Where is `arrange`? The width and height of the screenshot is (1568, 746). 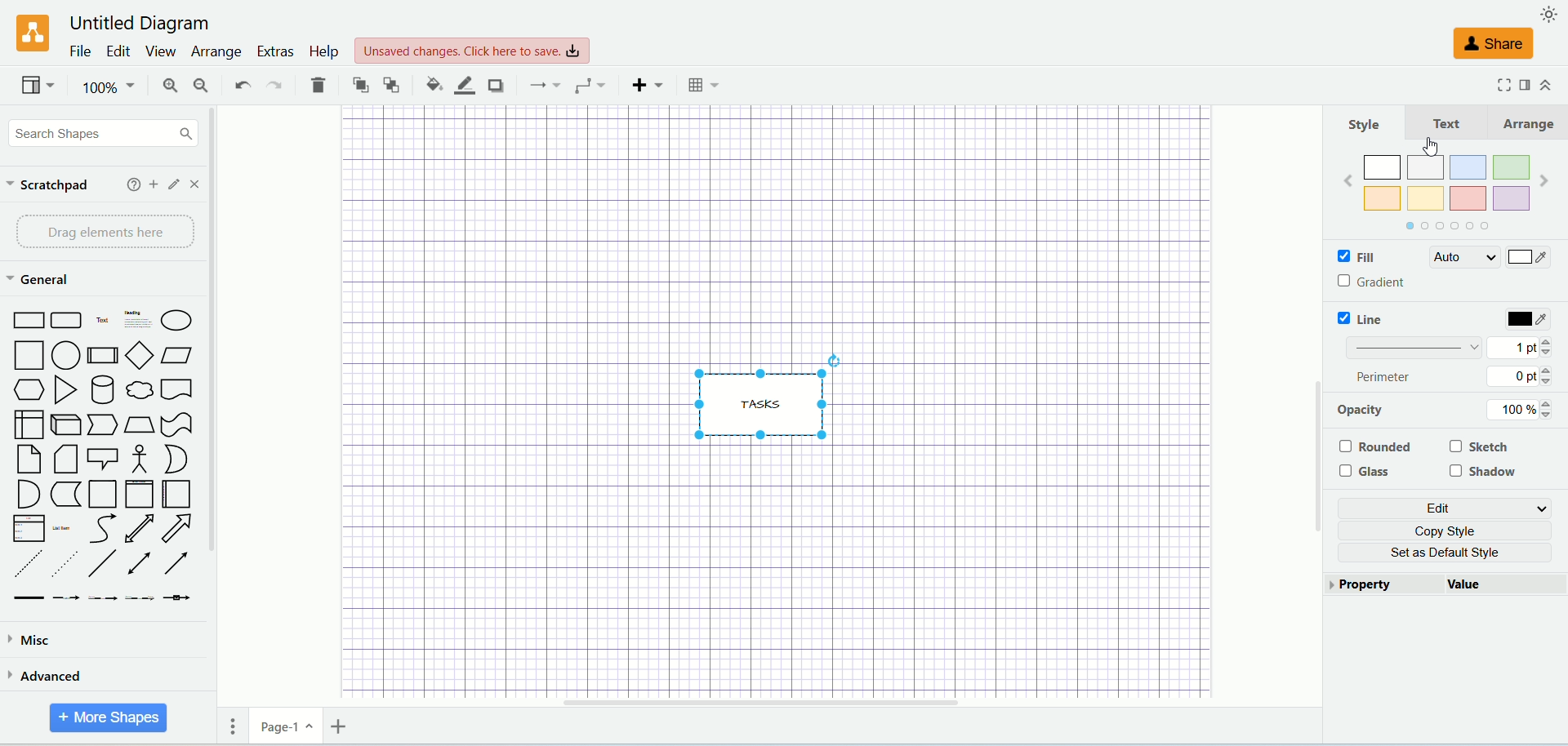 arrange is located at coordinates (1526, 121).